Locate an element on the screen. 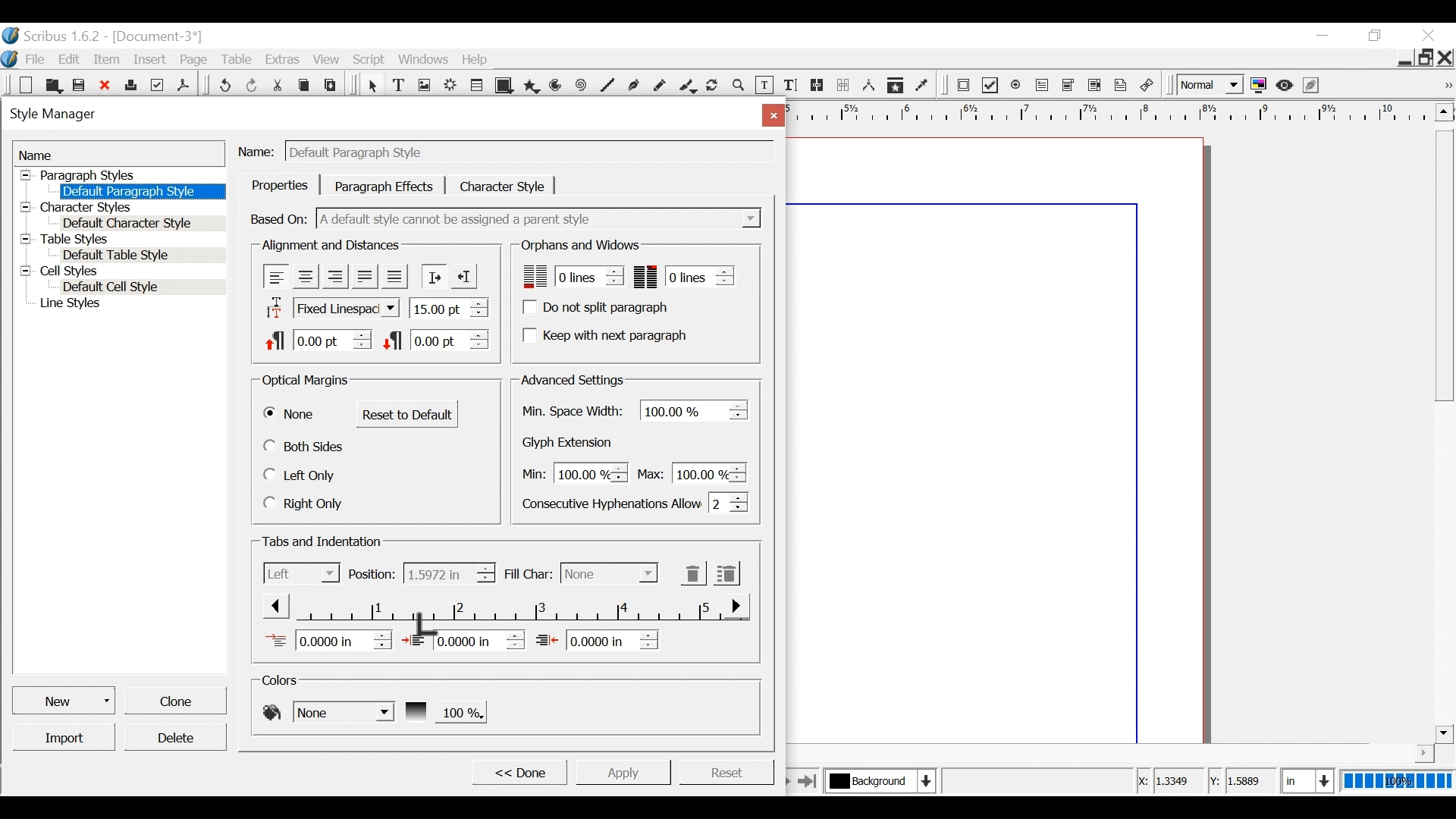 The width and height of the screenshot is (1456, 819). Save as PDF is located at coordinates (184, 83).